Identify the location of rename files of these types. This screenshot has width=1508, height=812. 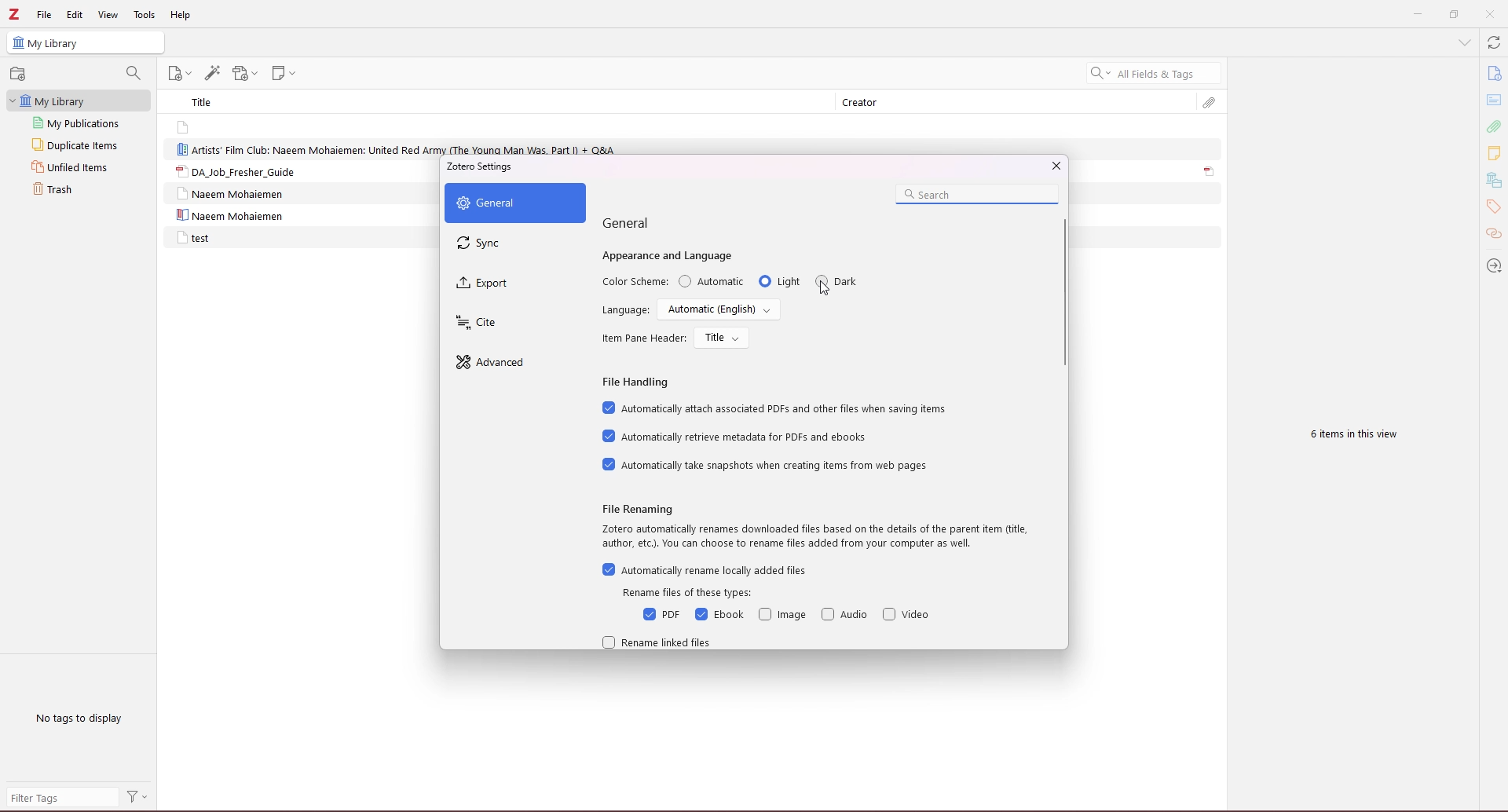
(694, 593).